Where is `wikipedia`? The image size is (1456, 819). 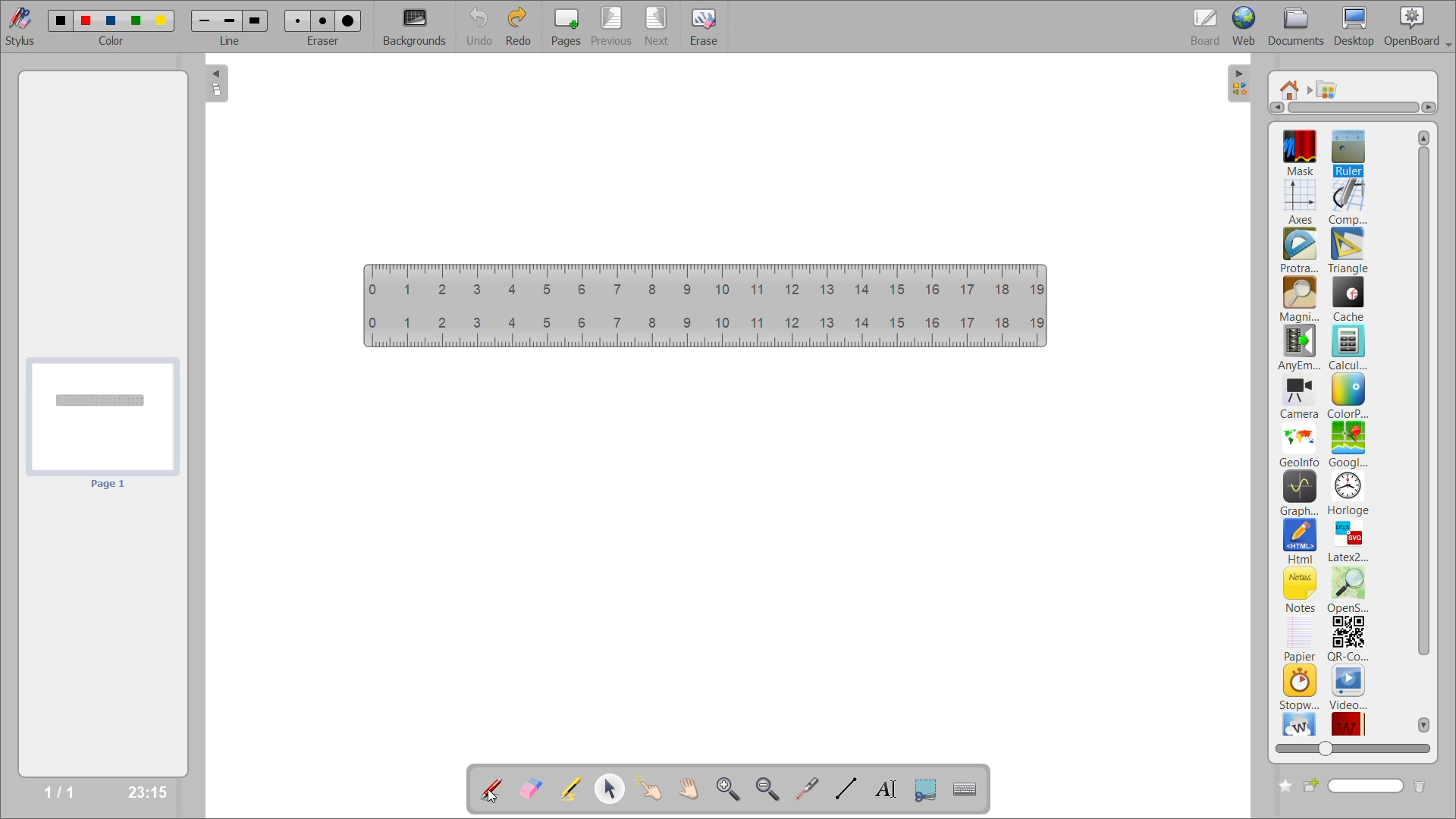 wikipedia is located at coordinates (1299, 723).